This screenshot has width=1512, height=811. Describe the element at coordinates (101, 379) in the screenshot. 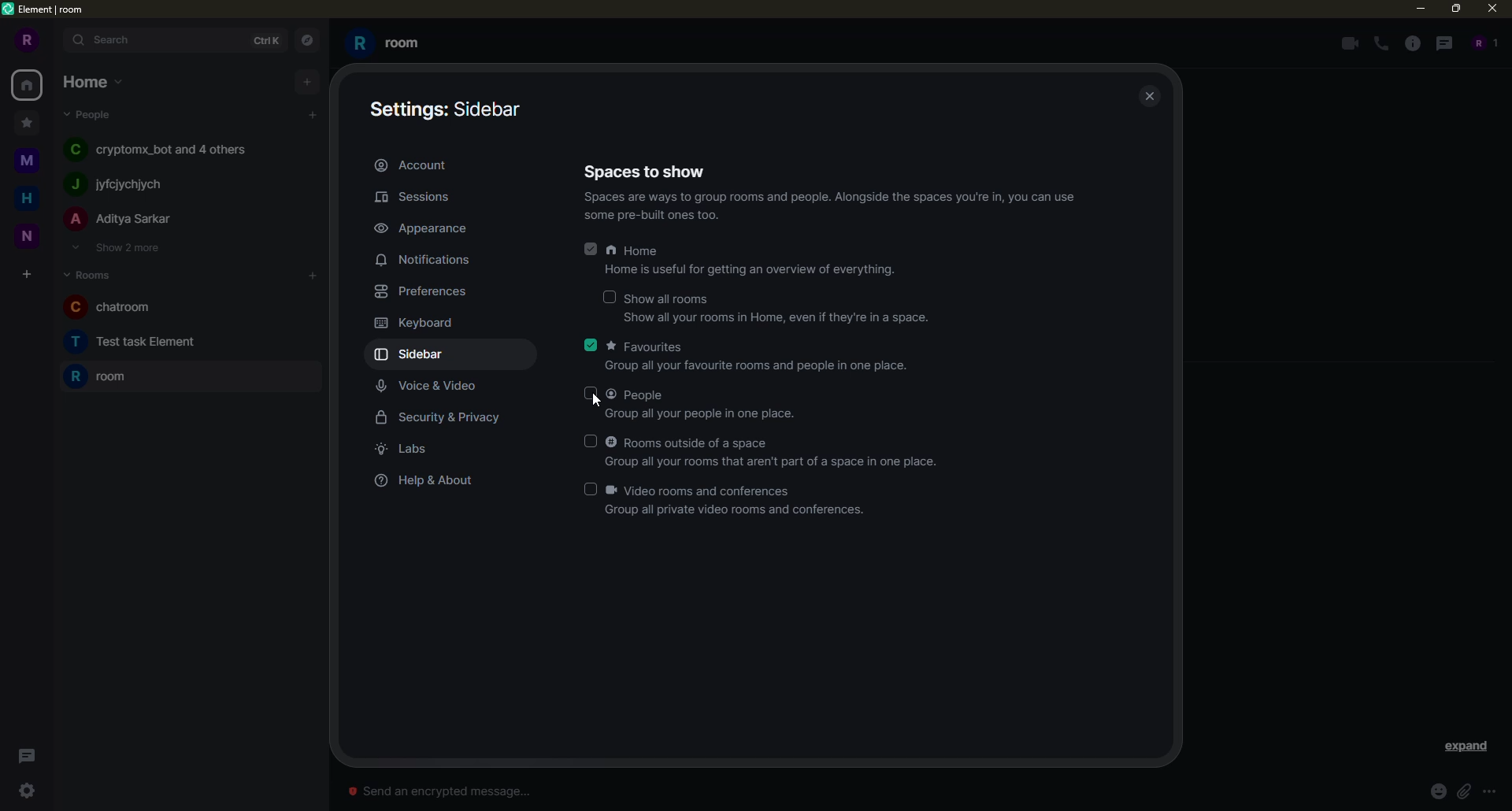

I see `R room` at that location.